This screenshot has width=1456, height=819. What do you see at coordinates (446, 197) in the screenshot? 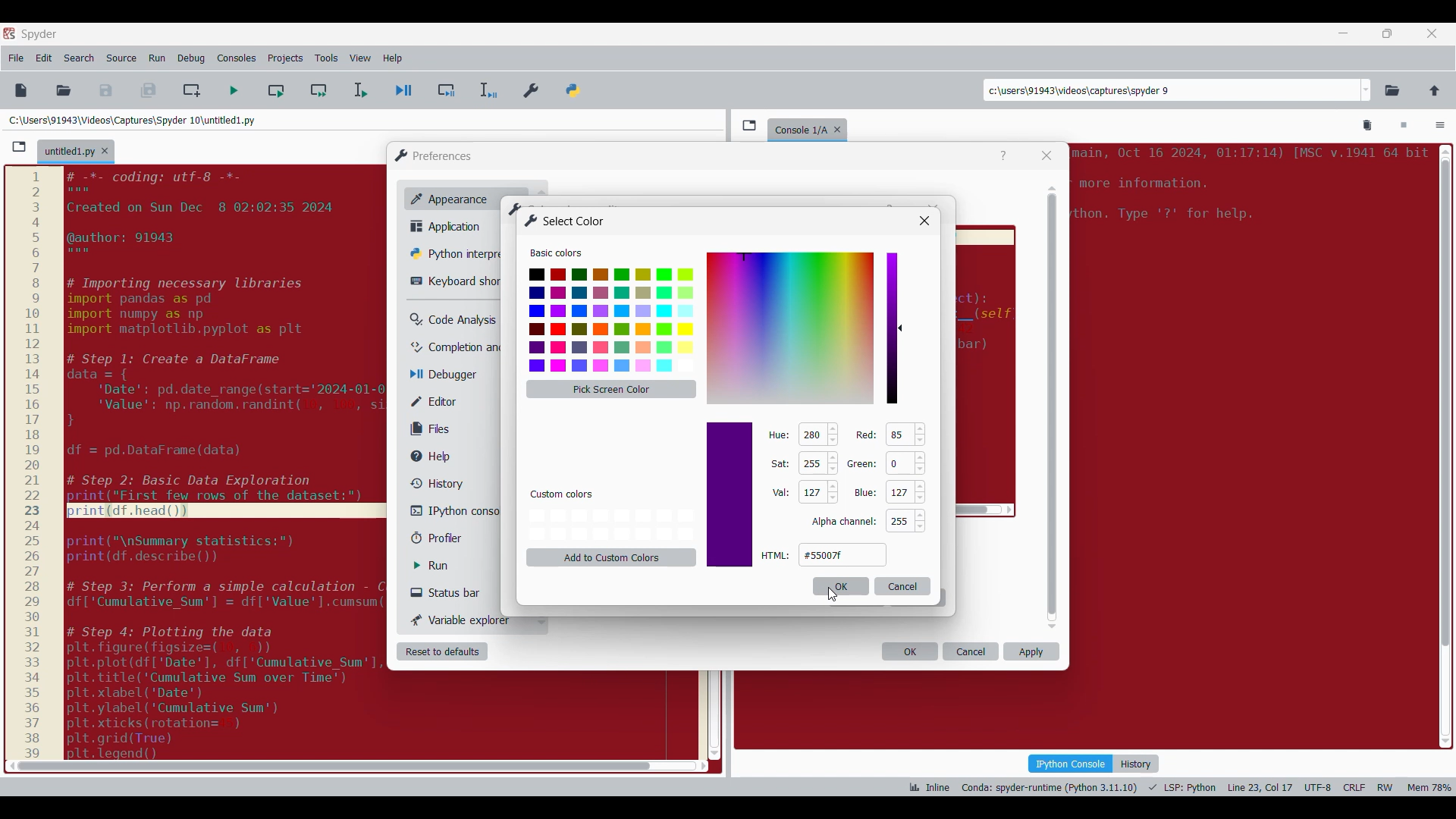
I see `Appearance, current selection highlighted` at bounding box center [446, 197].